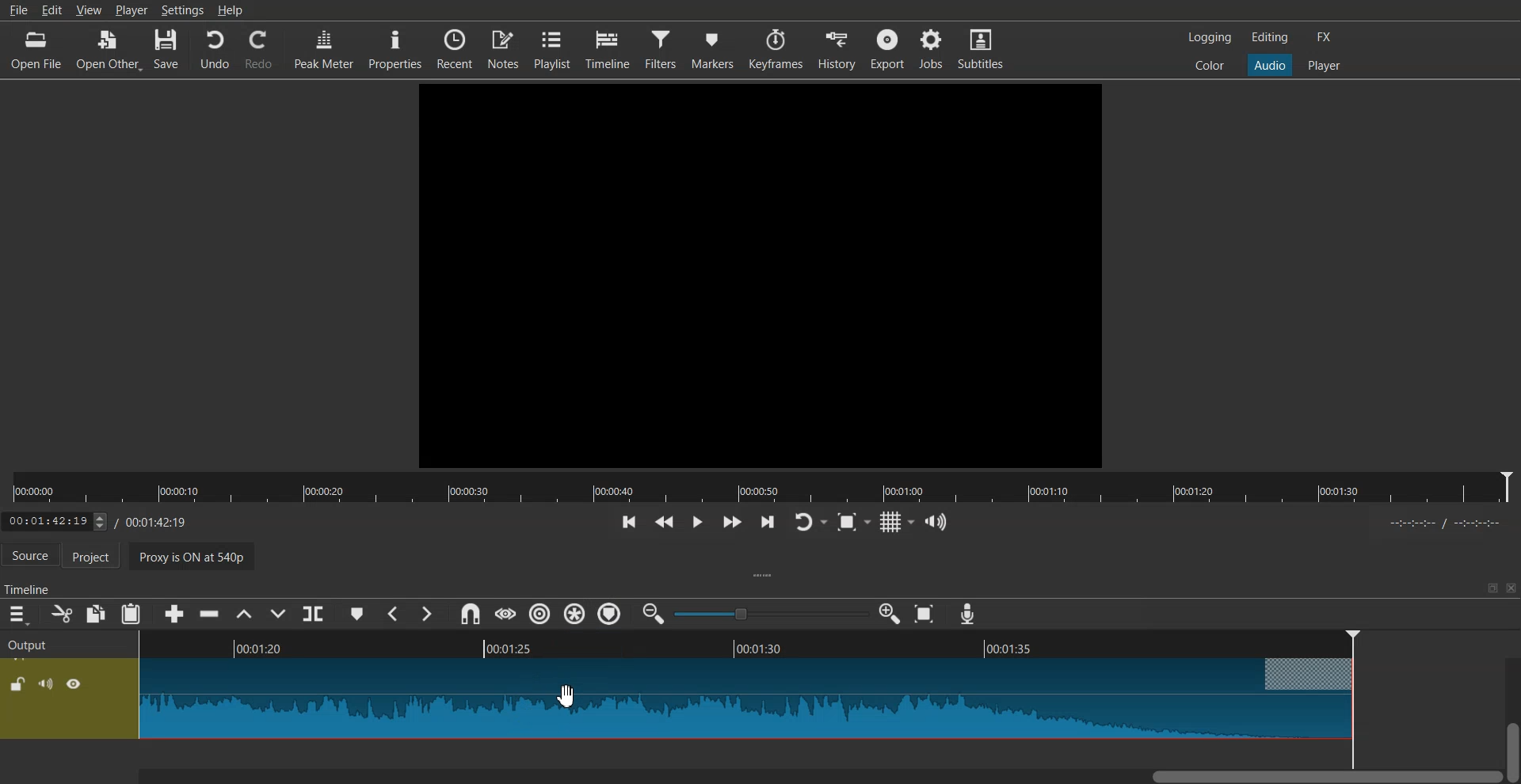 This screenshot has width=1521, height=784. What do you see at coordinates (391, 611) in the screenshot?
I see `Previous marker` at bounding box center [391, 611].